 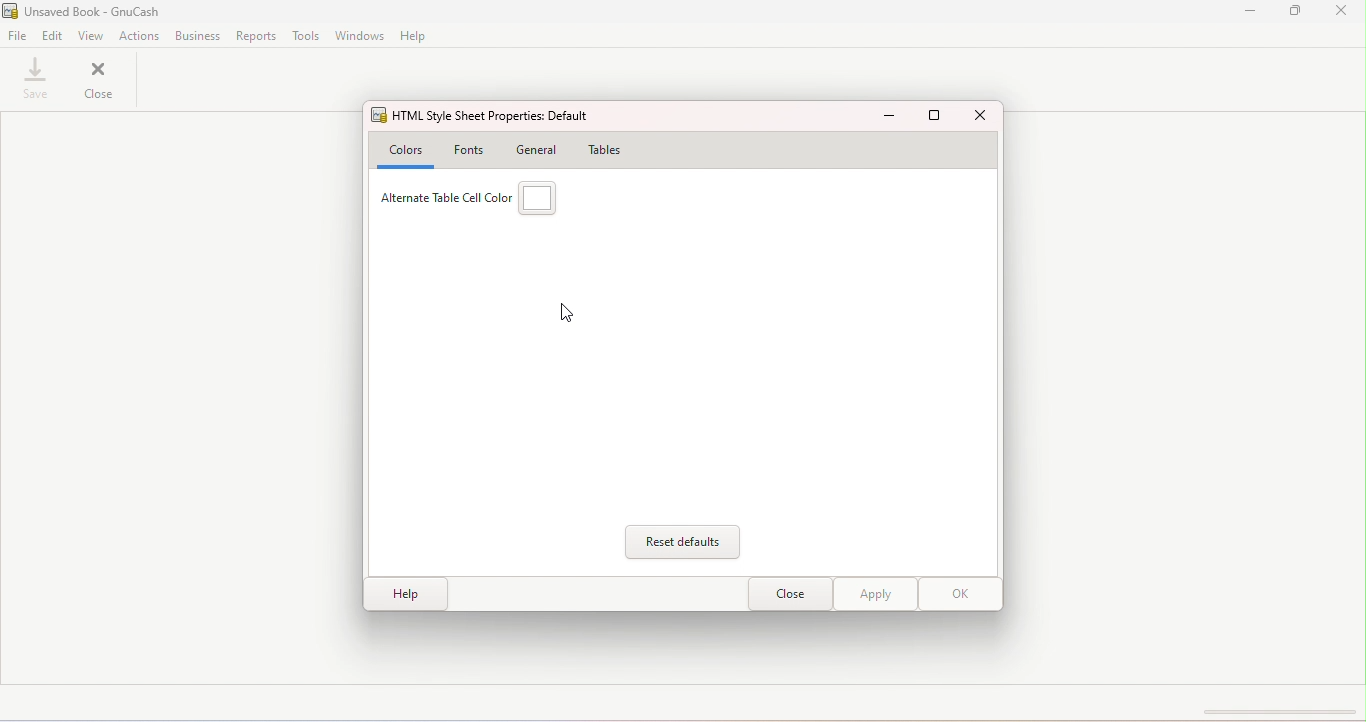 What do you see at coordinates (363, 36) in the screenshot?
I see `Windows` at bounding box center [363, 36].